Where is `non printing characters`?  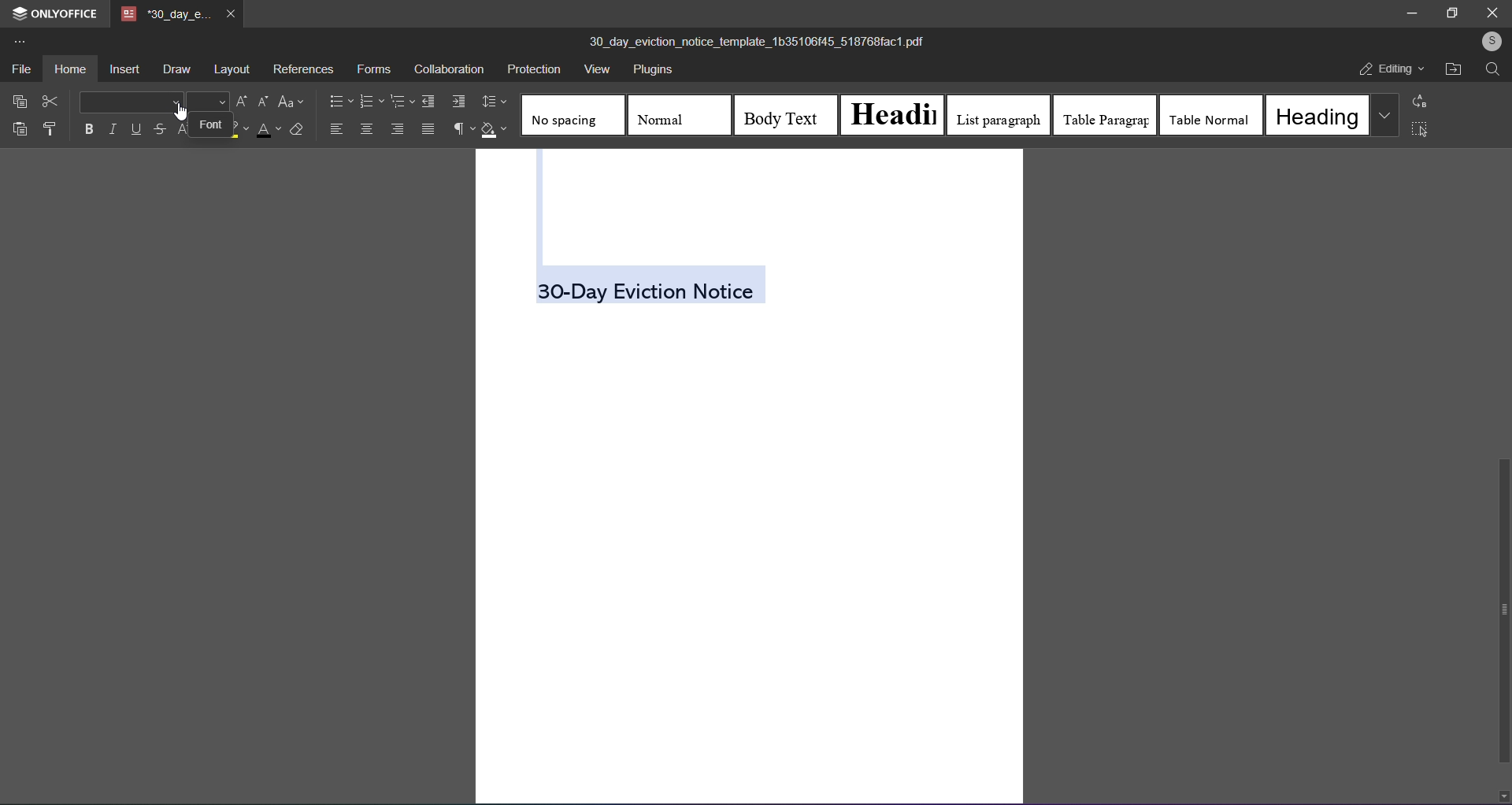 non printing characters is located at coordinates (459, 128).